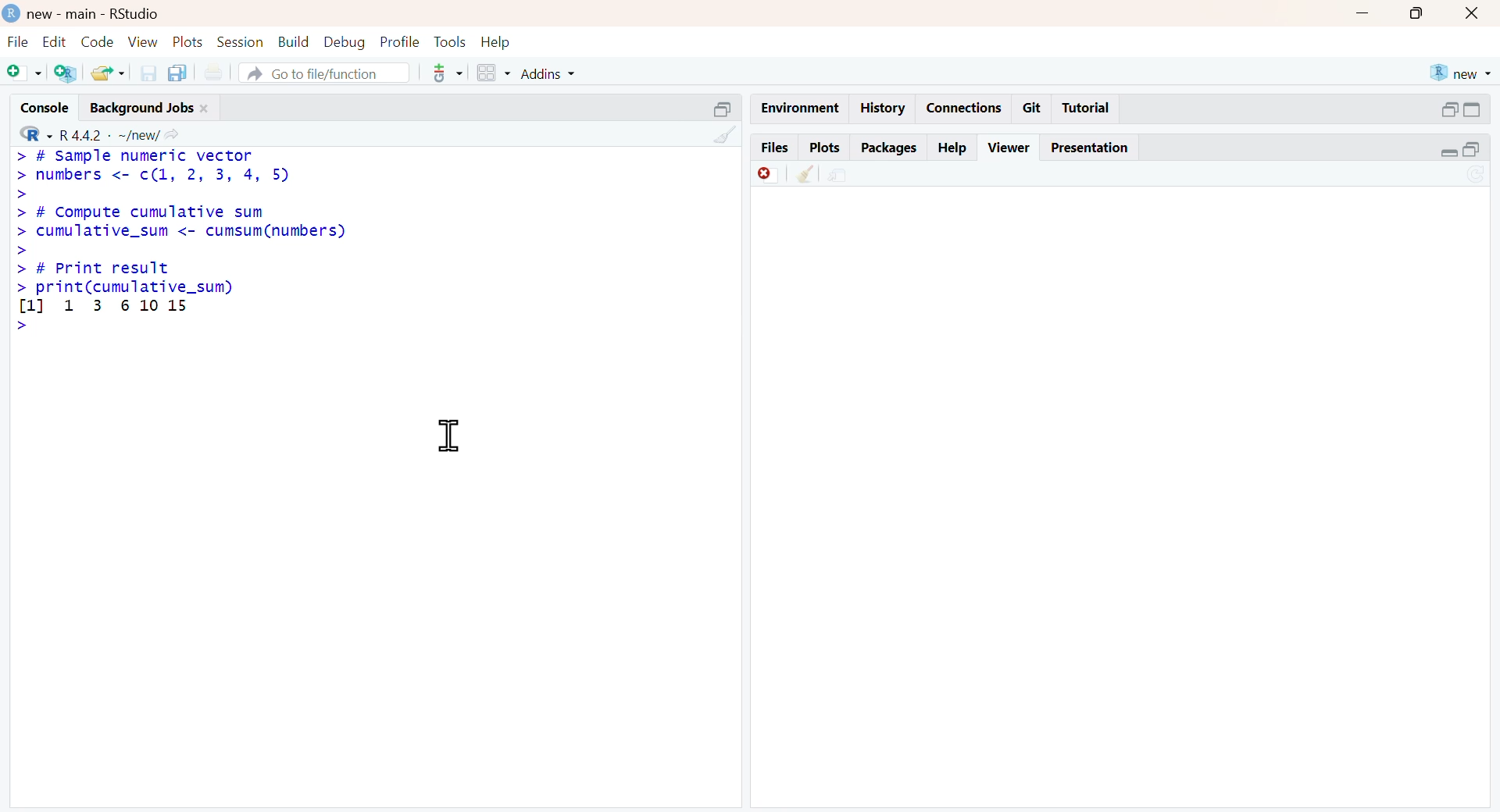 This screenshot has width=1500, height=812. What do you see at coordinates (143, 109) in the screenshot?
I see `Background jobs` at bounding box center [143, 109].